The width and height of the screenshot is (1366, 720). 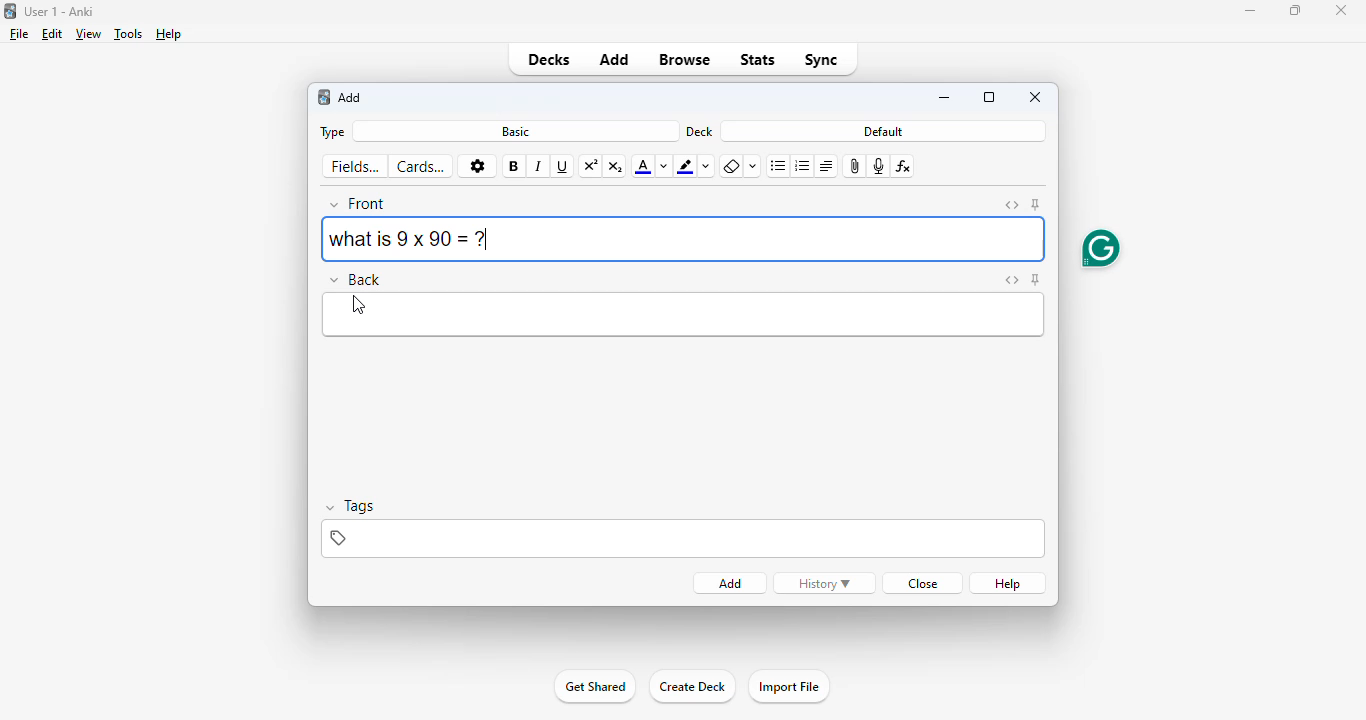 What do you see at coordinates (169, 34) in the screenshot?
I see `help` at bounding box center [169, 34].